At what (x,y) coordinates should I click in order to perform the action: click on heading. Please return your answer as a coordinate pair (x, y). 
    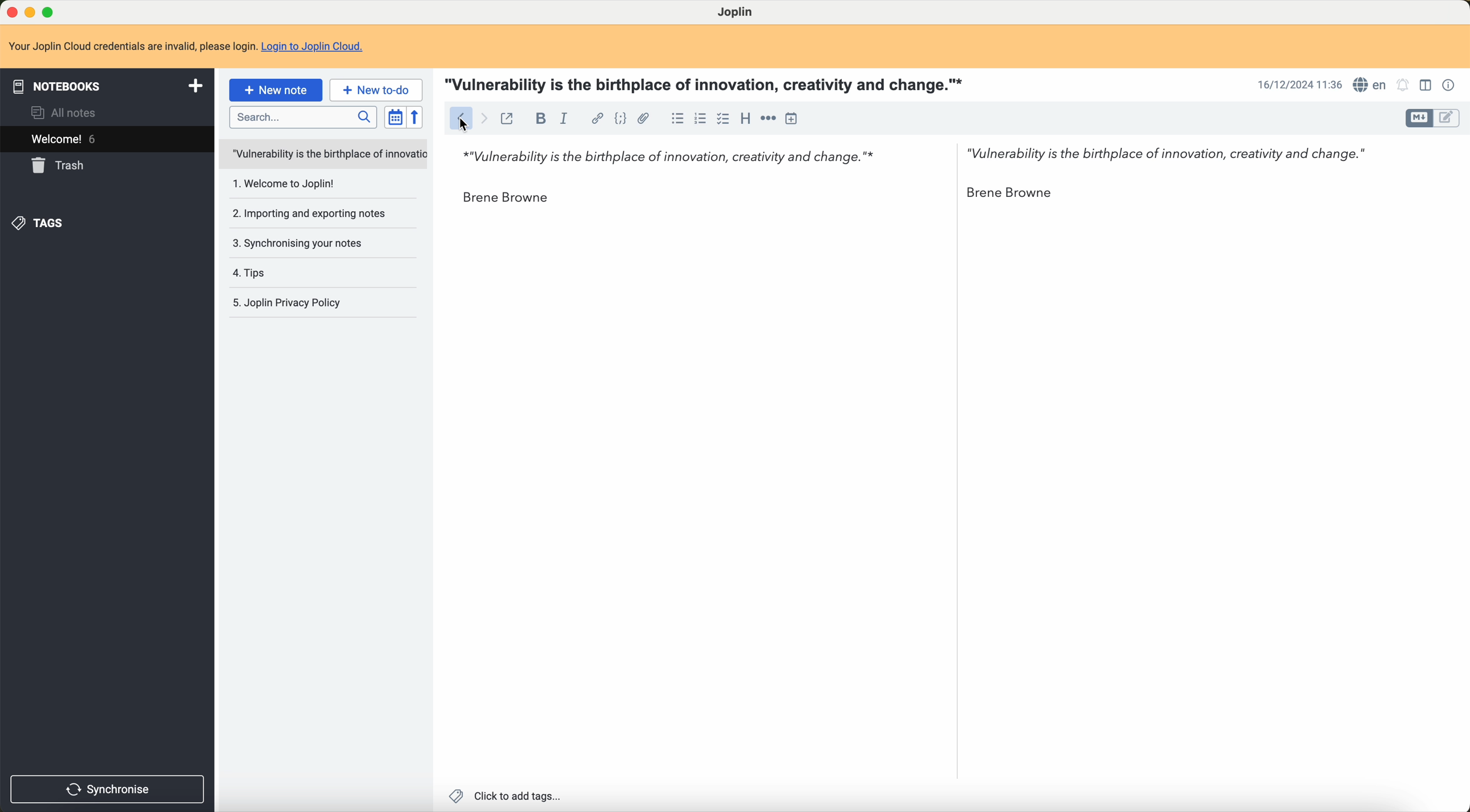
    Looking at the image, I should click on (744, 119).